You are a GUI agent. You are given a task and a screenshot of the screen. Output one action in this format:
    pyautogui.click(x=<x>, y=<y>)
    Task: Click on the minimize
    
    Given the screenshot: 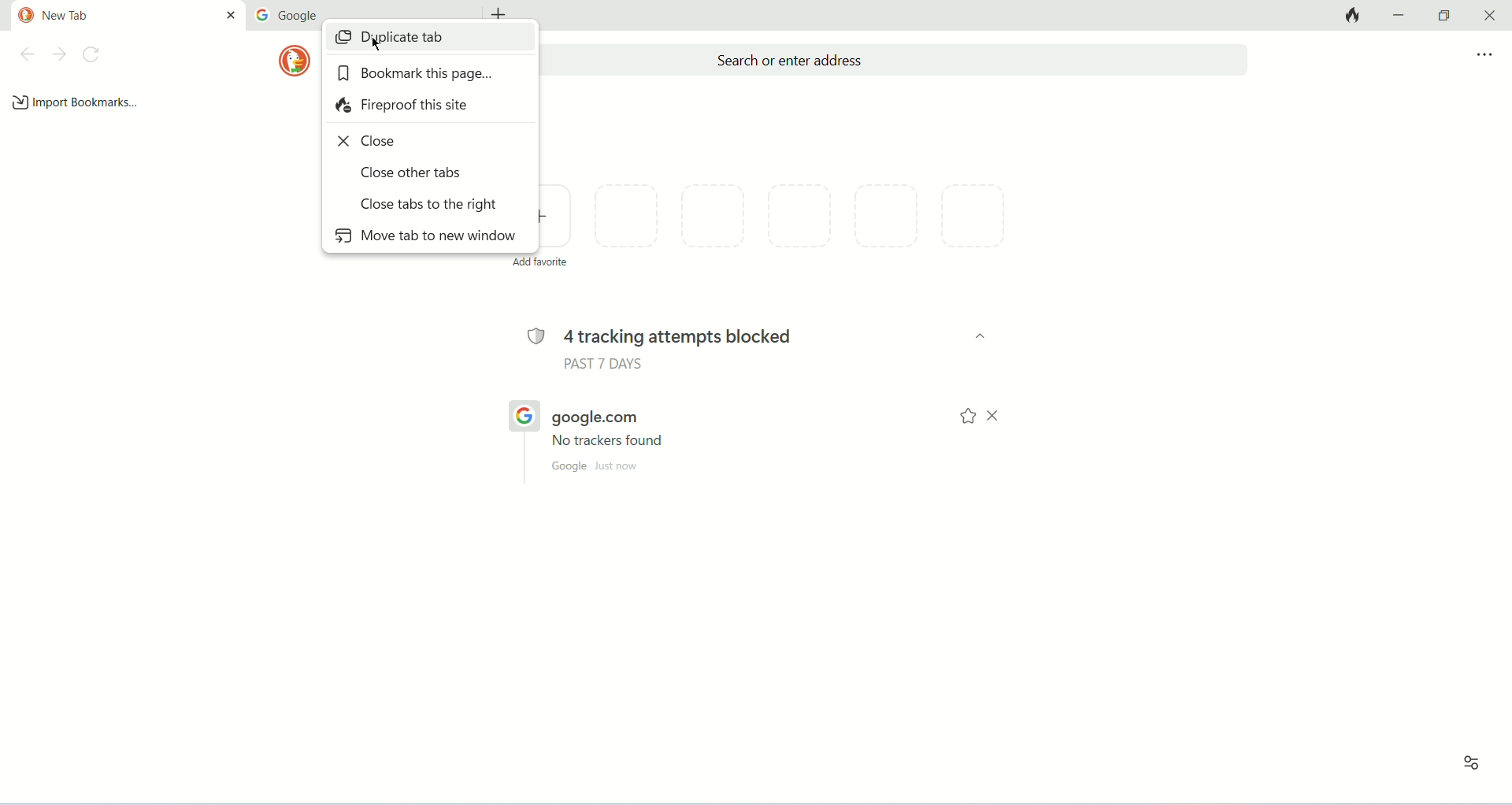 What is the action you would take?
    pyautogui.click(x=1398, y=16)
    